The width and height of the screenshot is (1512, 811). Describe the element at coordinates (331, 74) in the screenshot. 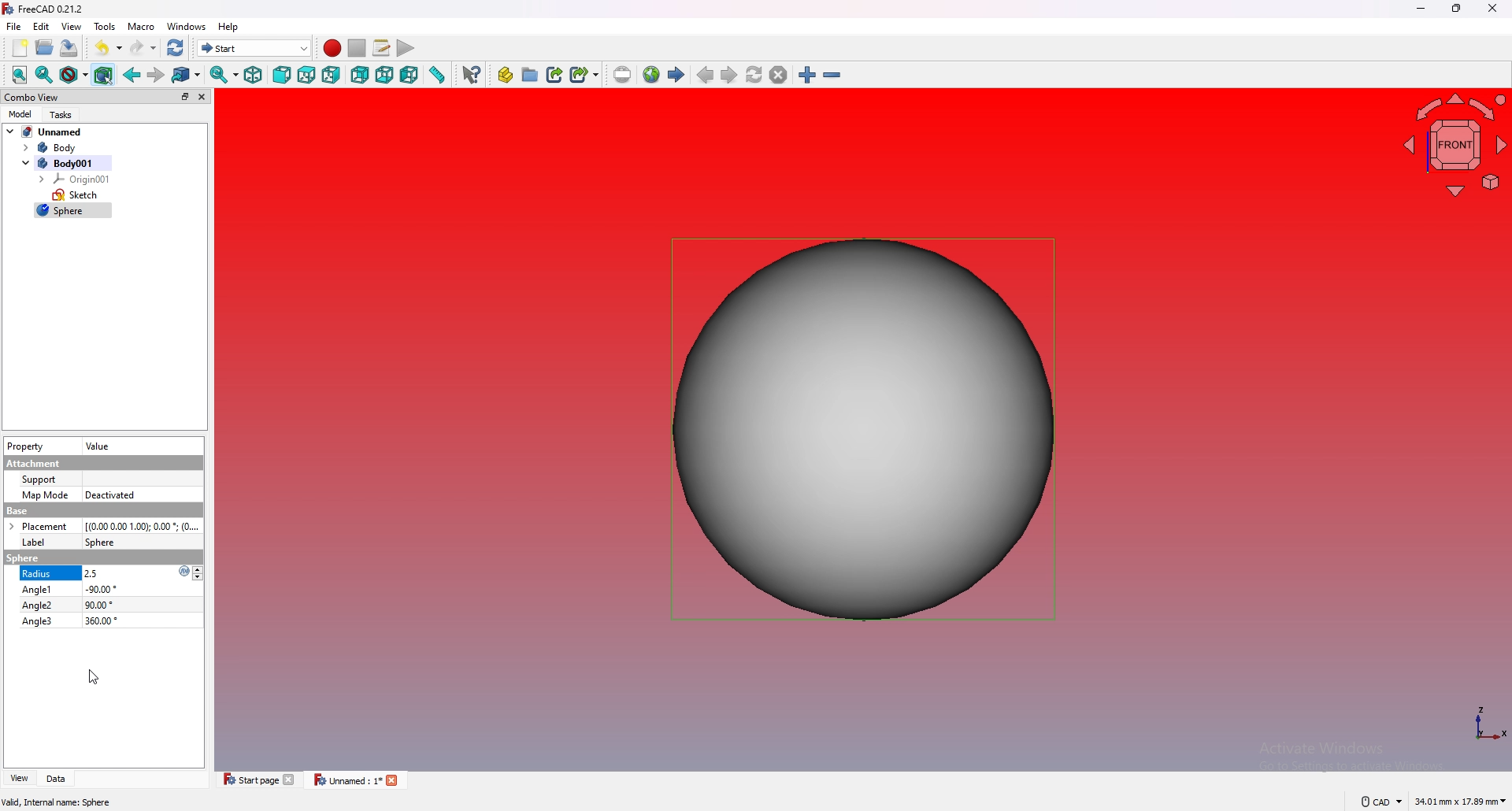

I see `right` at that location.